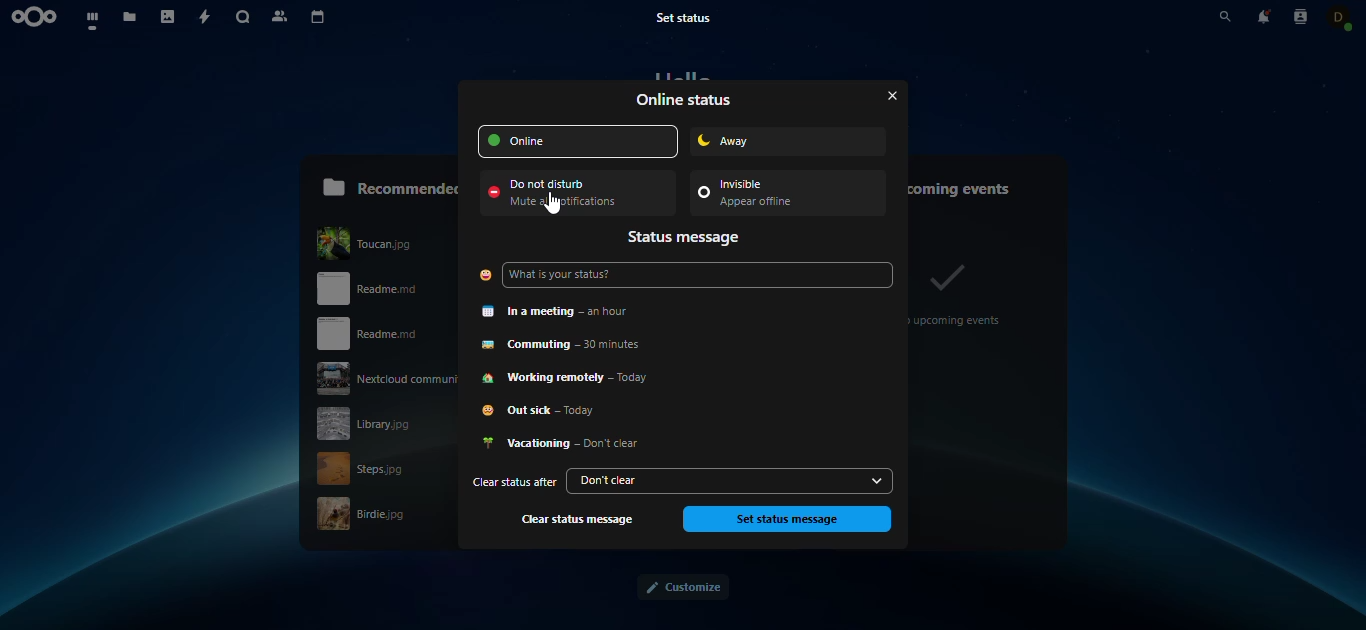 This screenshot has width=1366, height=630. Describe the element at coordinates (1263, 16) in the screenshot. I see `notifications` at that location.